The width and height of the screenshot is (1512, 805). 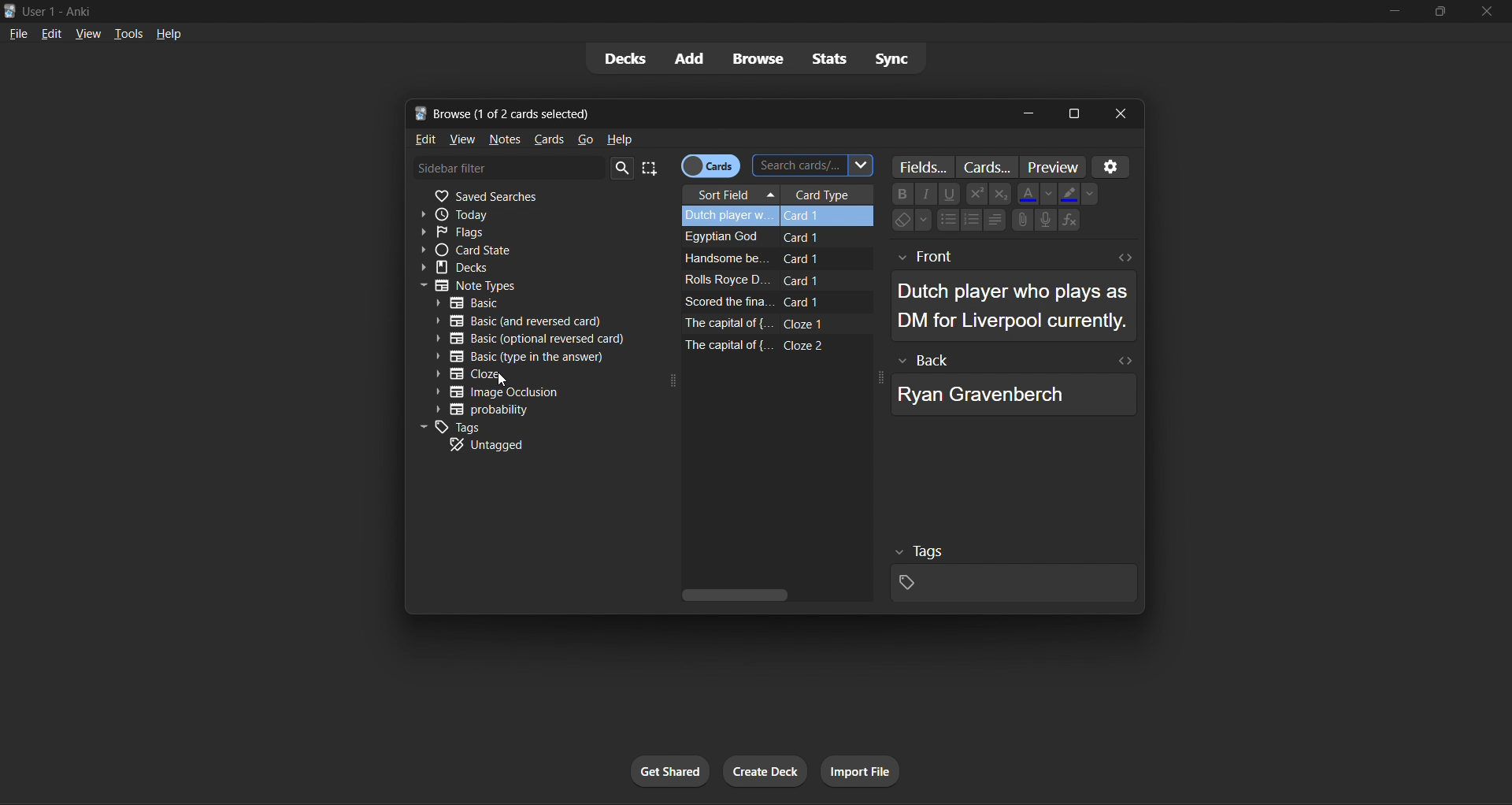 What do you see at coordinates (528, 444) in the screenshot?
I see `untagged filter` at bounding box center [528, 444].